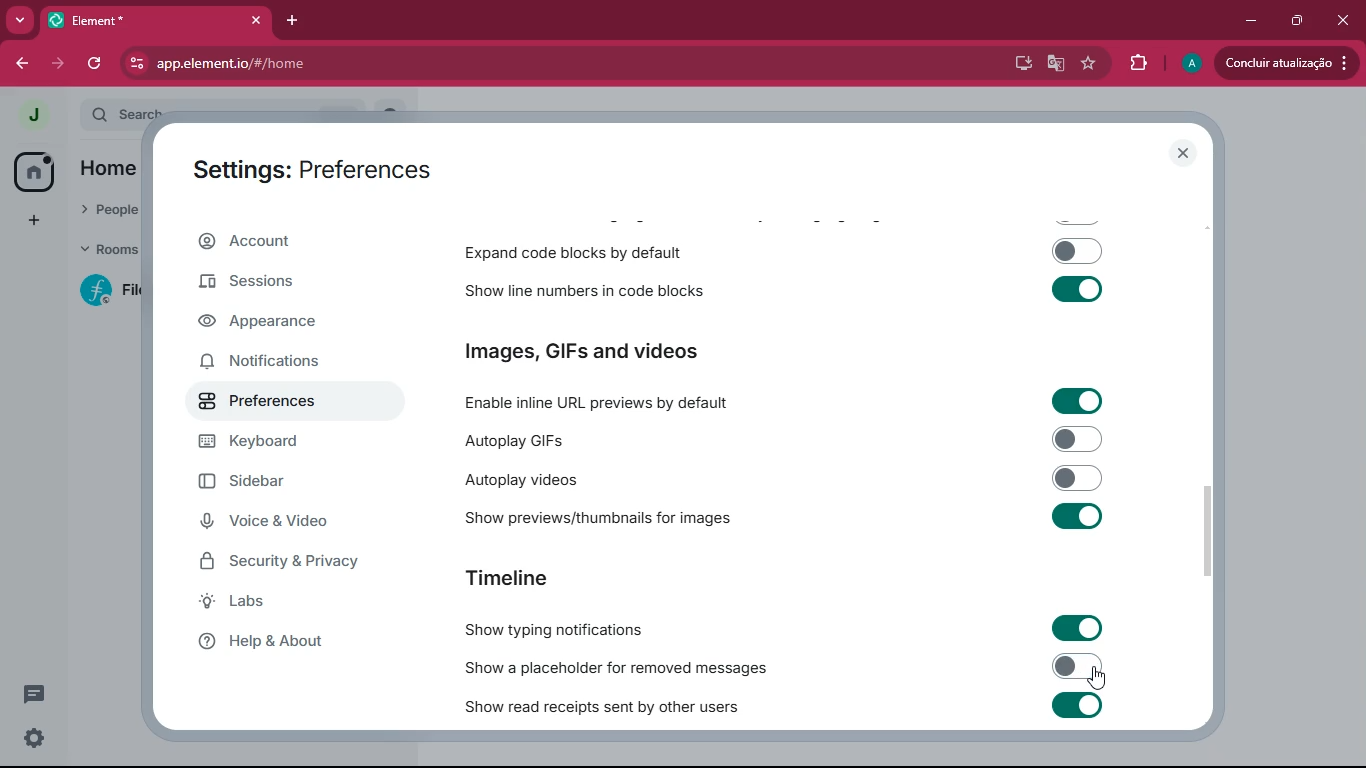 This screenshot has width=1366, height=768. What do you see at coordinates (34, 737) in the screenshot?
I see `quick settings` at bounding box center [34, 737].